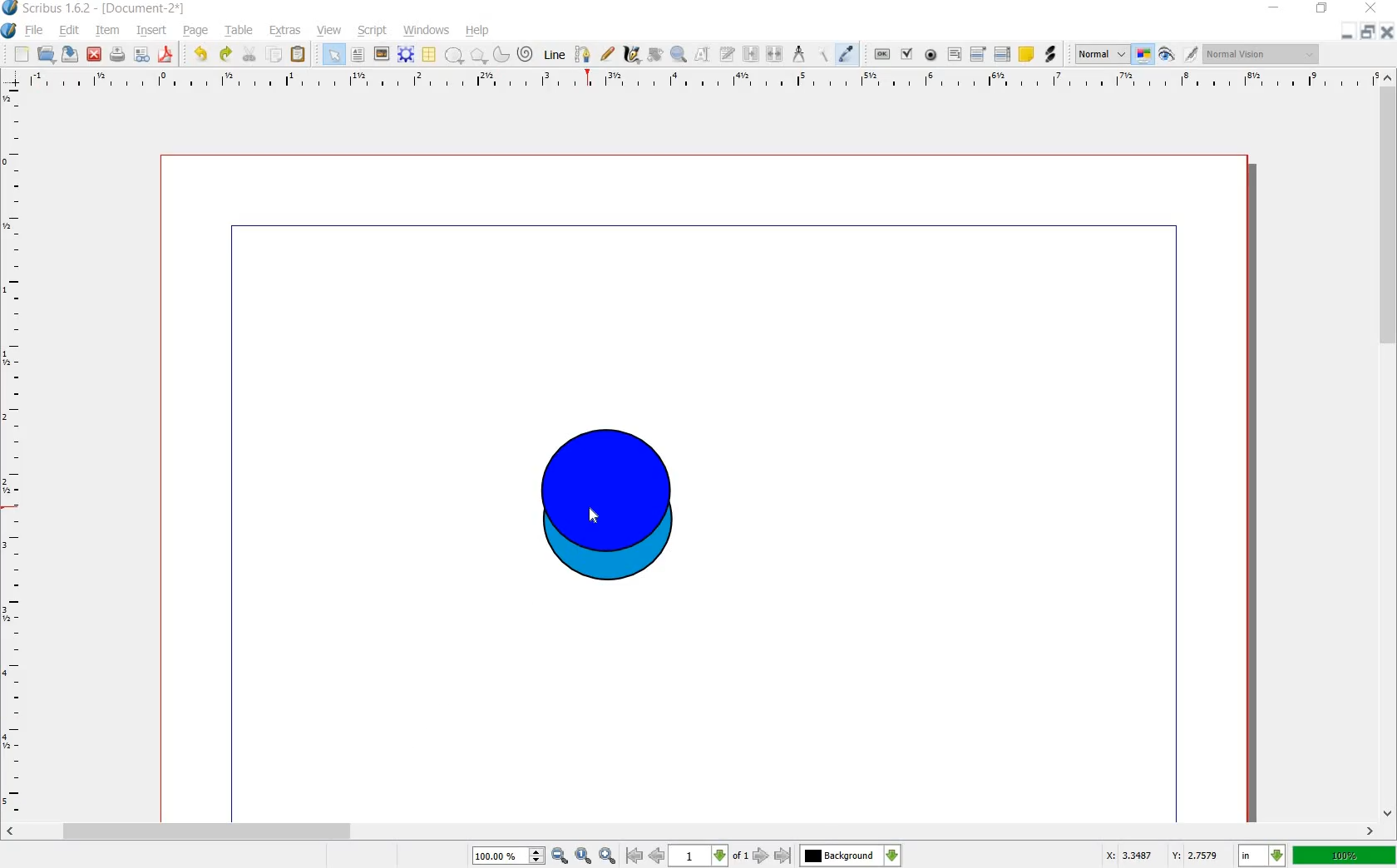 This screenshot has width=1397, height=868. What do you see at coordinates (701, 54) in the screenshot?
I see `edit contents of frame` at bounding box center [701, 54].